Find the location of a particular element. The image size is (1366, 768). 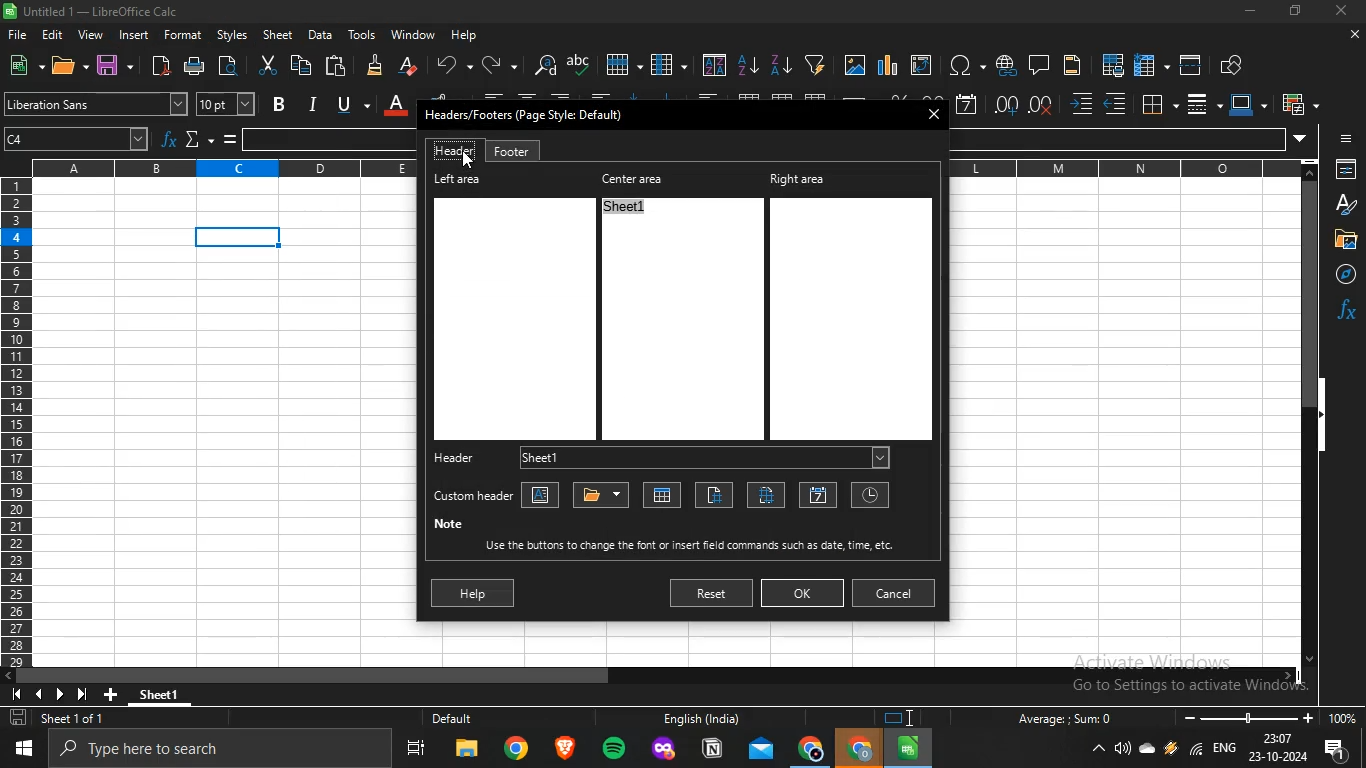

help is located at coordinates (467, 36).